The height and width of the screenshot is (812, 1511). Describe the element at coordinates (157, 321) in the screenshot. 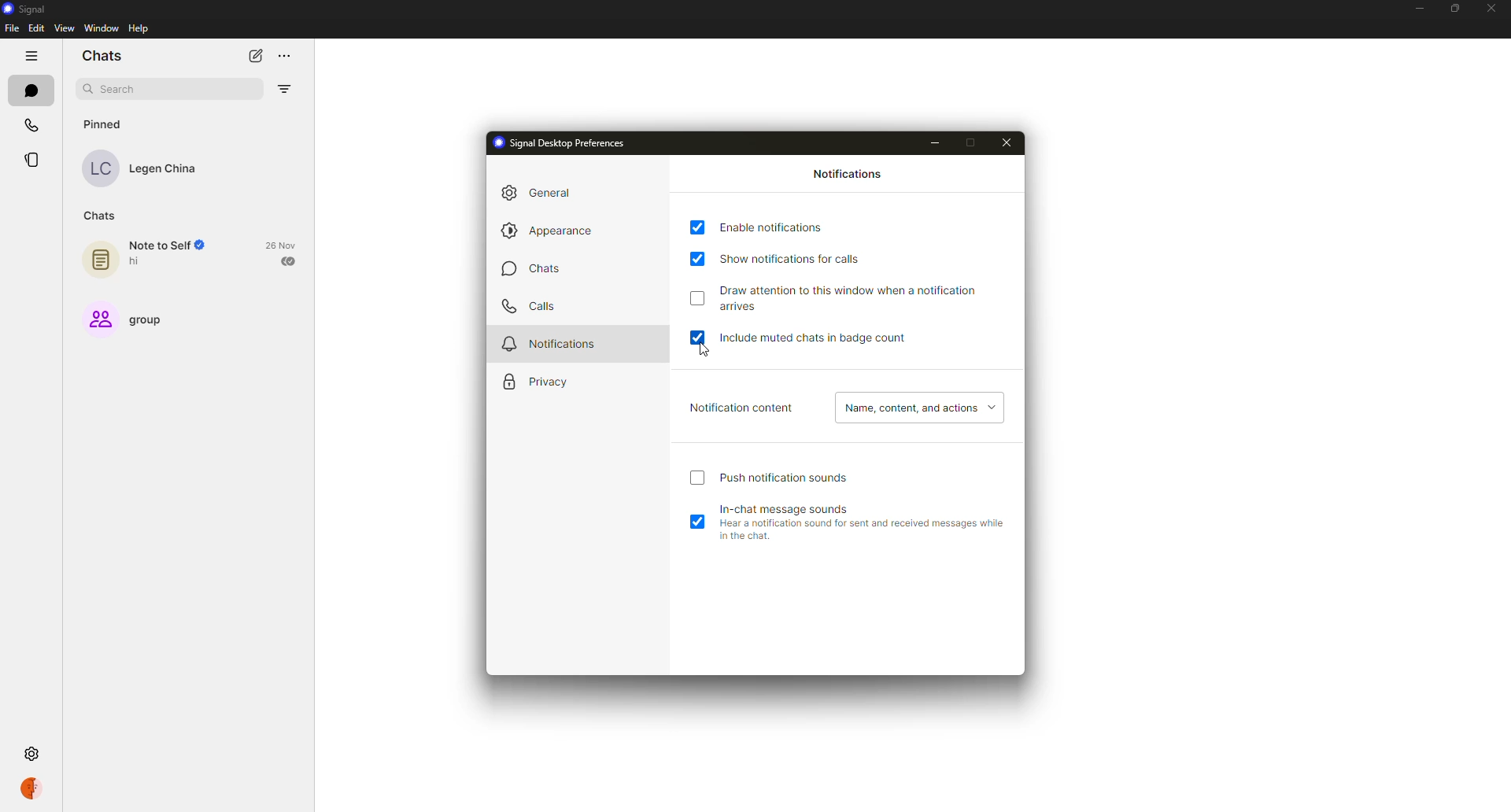

I see `group` at that location.